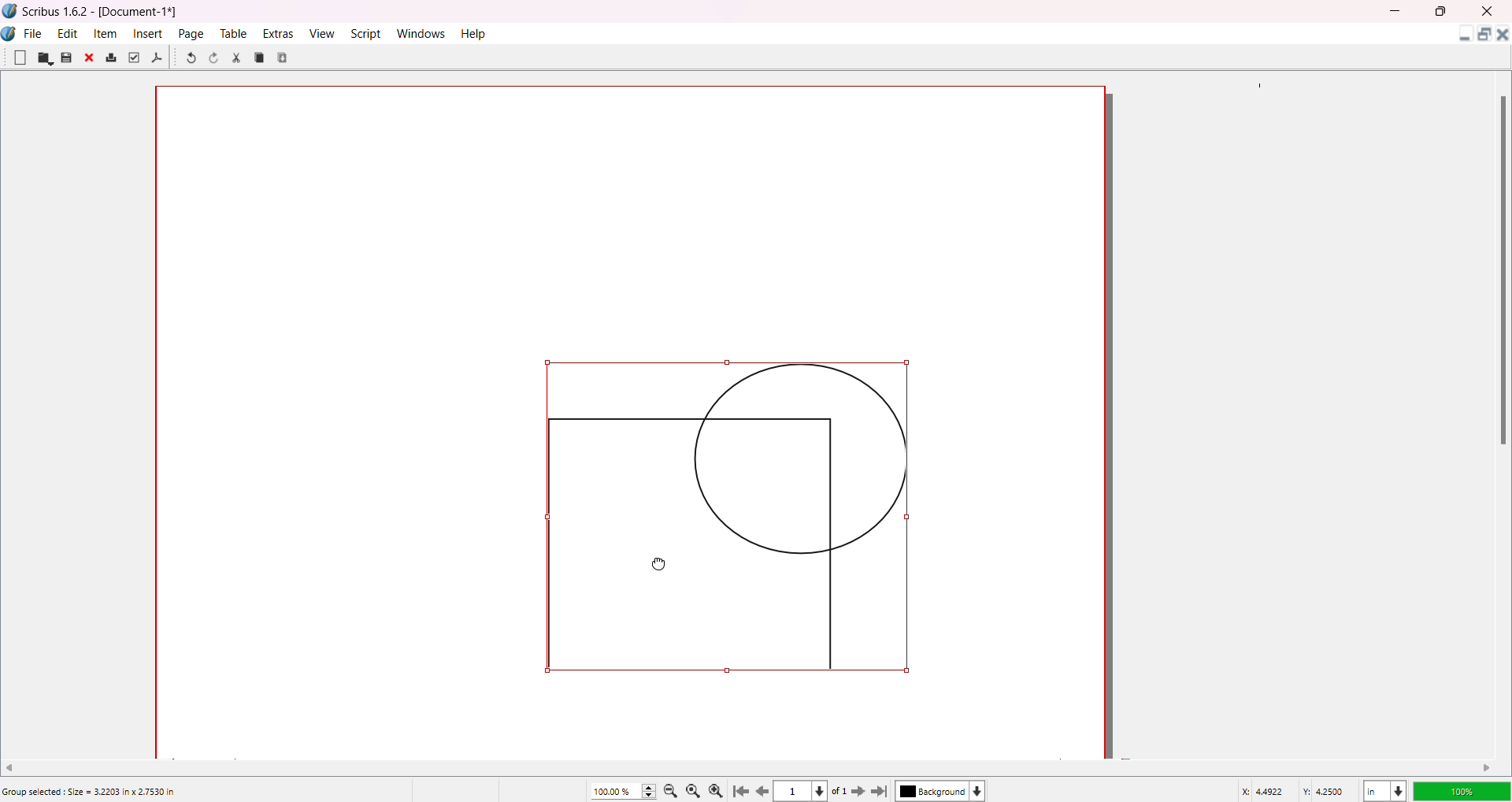  I want to click on Insert, so click(150, 33).